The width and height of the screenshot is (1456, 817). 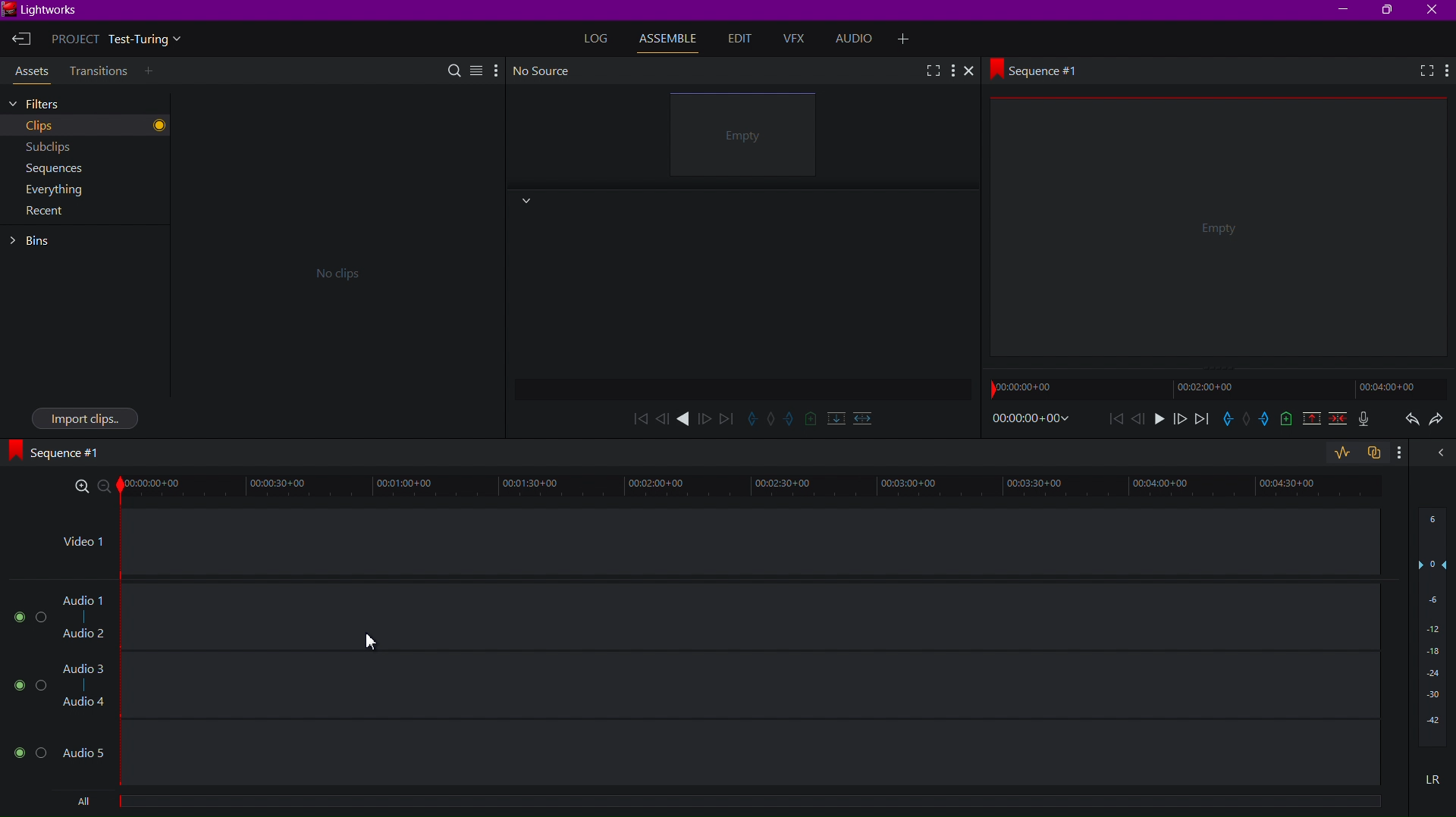 What do you see at coordinates (27, 753) in the screenshot?
I see `Buttons` at bounding box center [27, 753].